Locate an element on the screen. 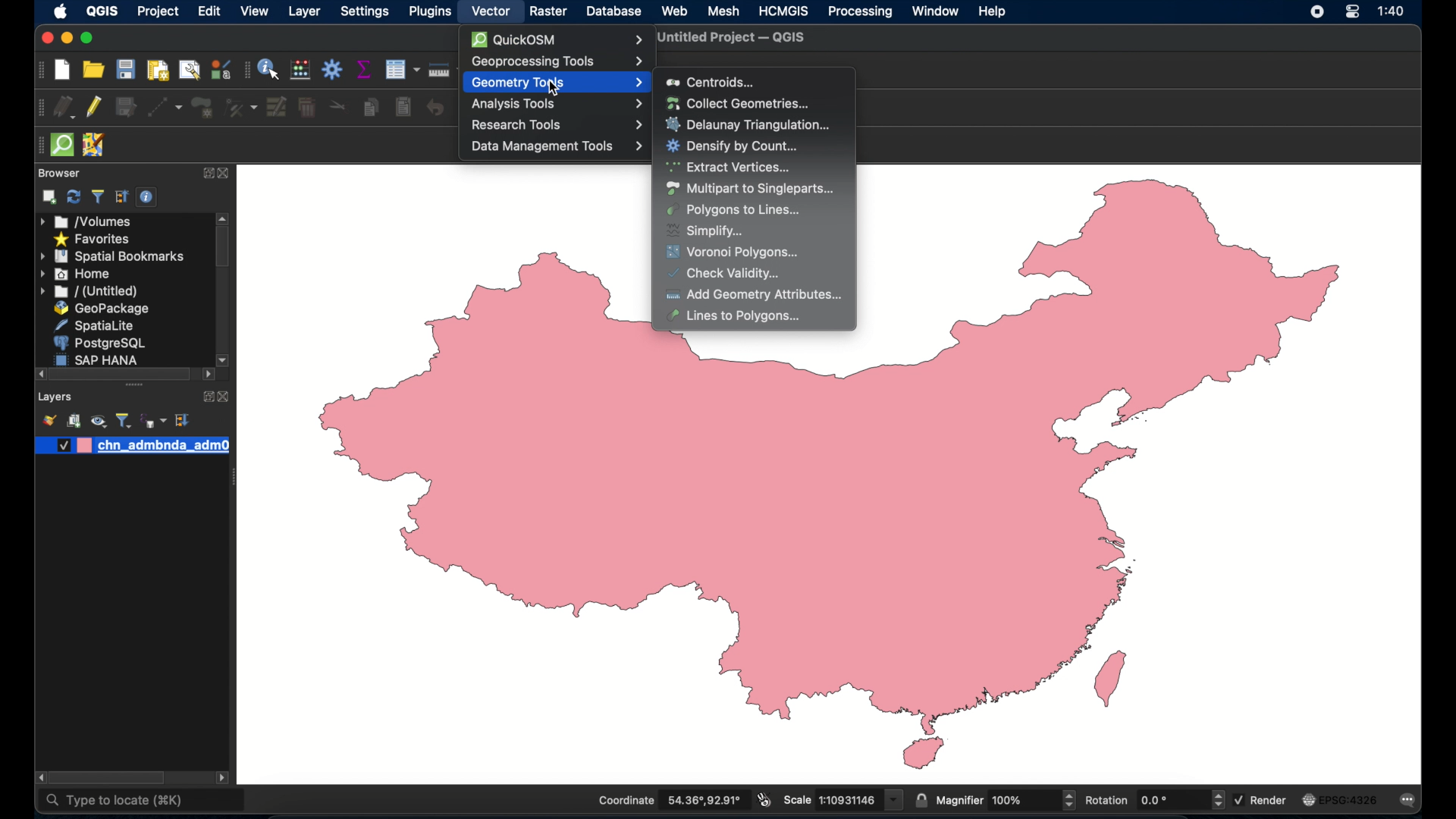 This screenshot has height=819, width=1456. multipart to single parts is located at coordinates (750, 189).